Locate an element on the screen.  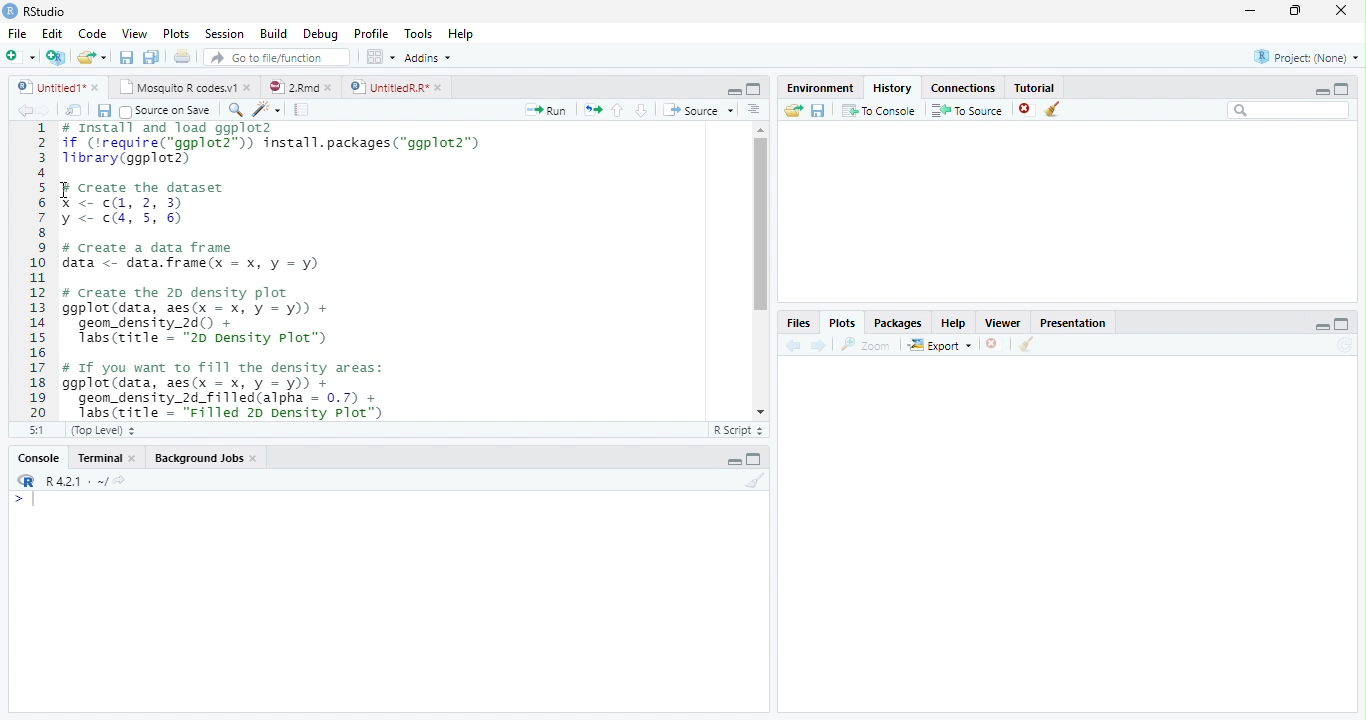
search is located at coordinates (232, 109).